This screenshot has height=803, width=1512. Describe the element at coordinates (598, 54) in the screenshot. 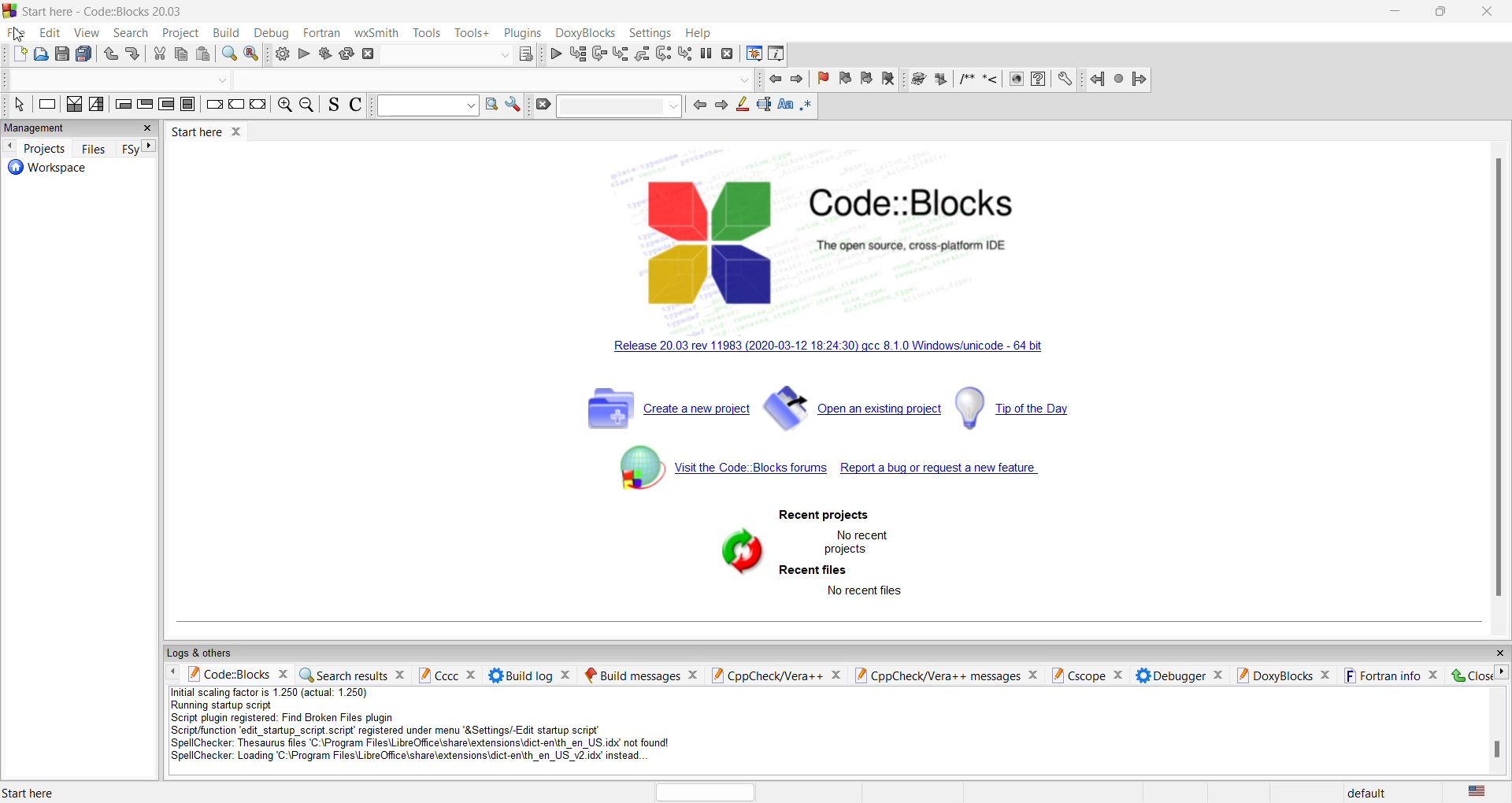

I see `step into` at that location.